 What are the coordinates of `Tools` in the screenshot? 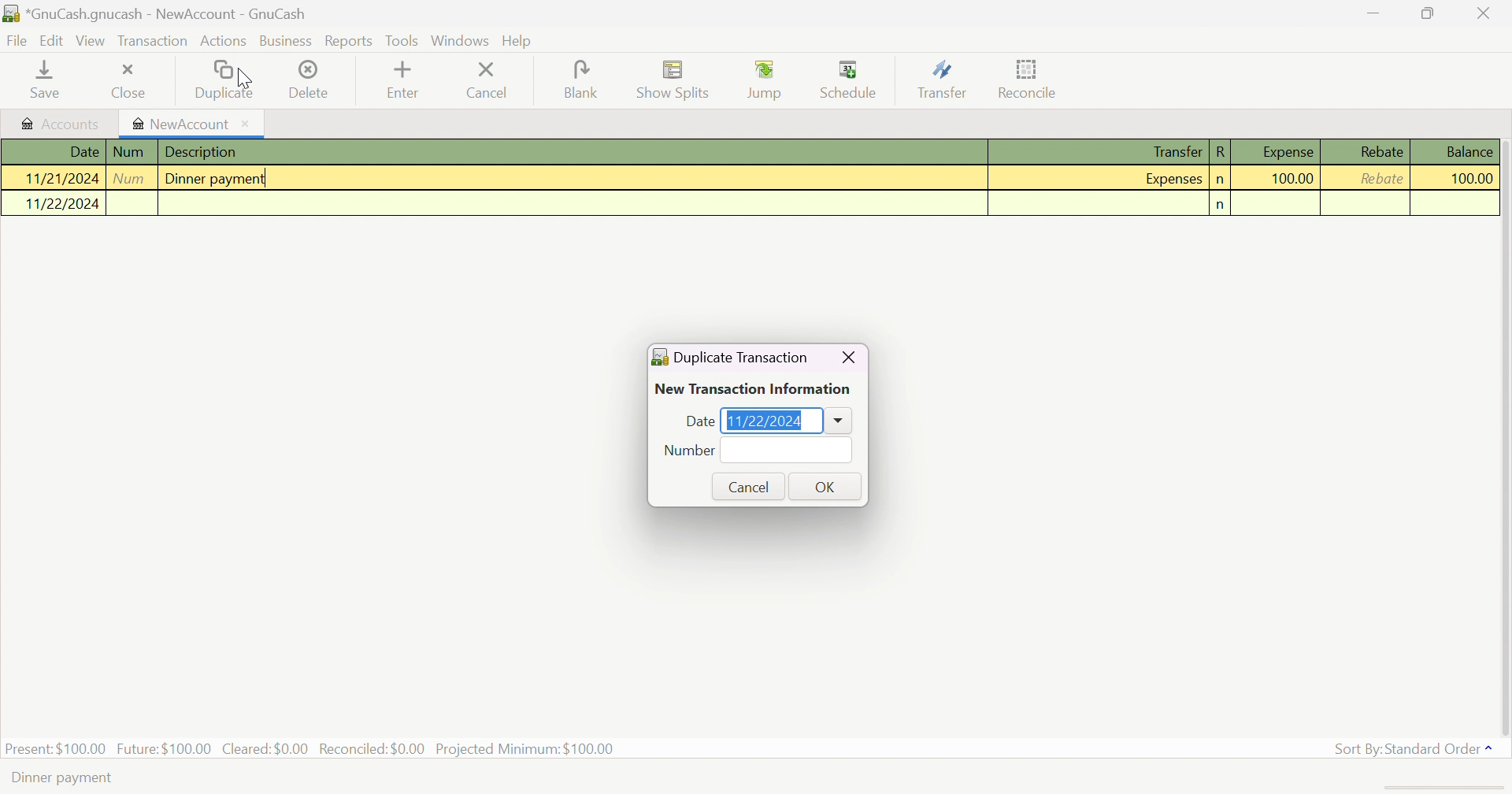 It's located at (402, 42).